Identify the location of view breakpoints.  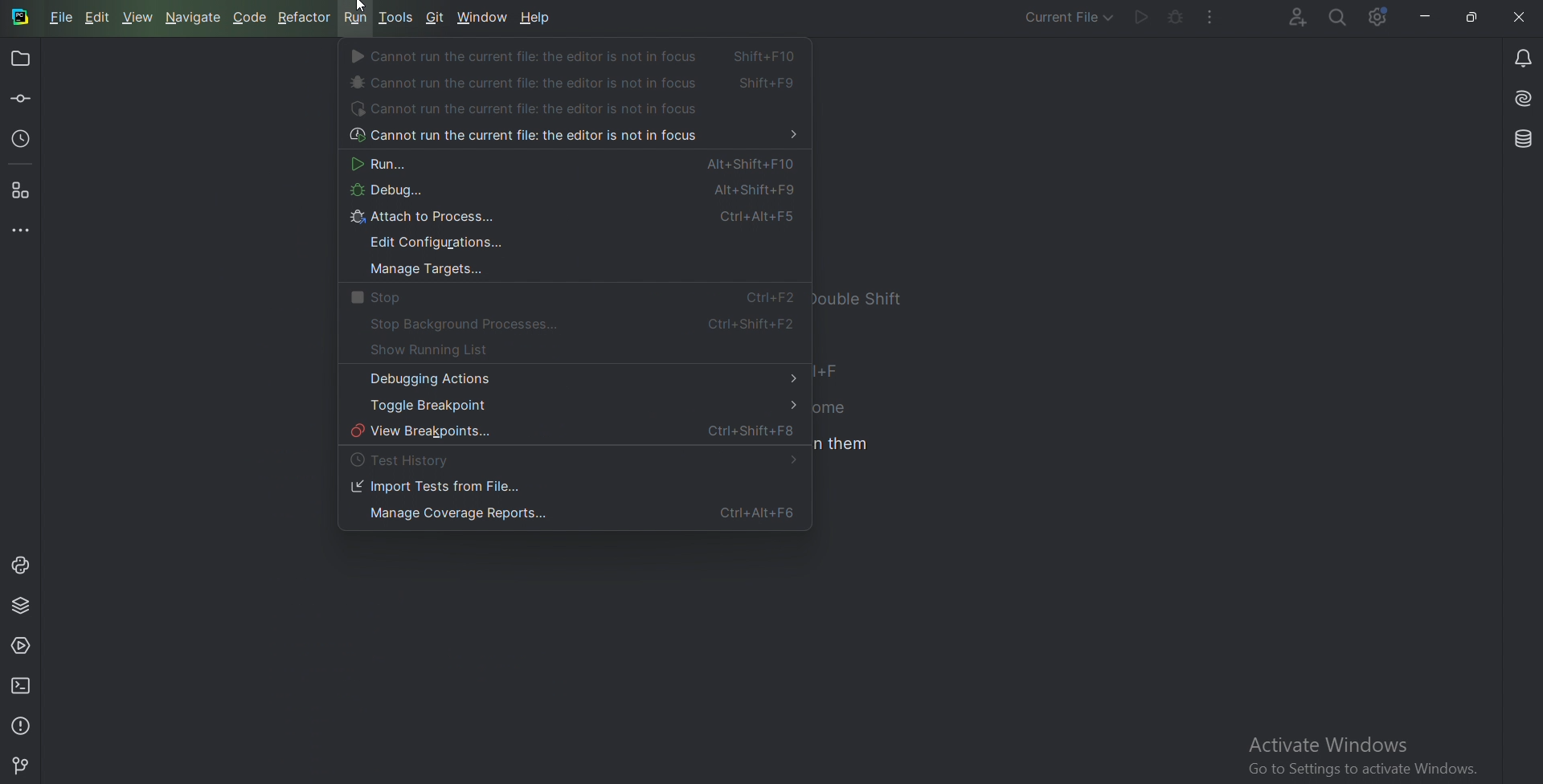
(575, 433).